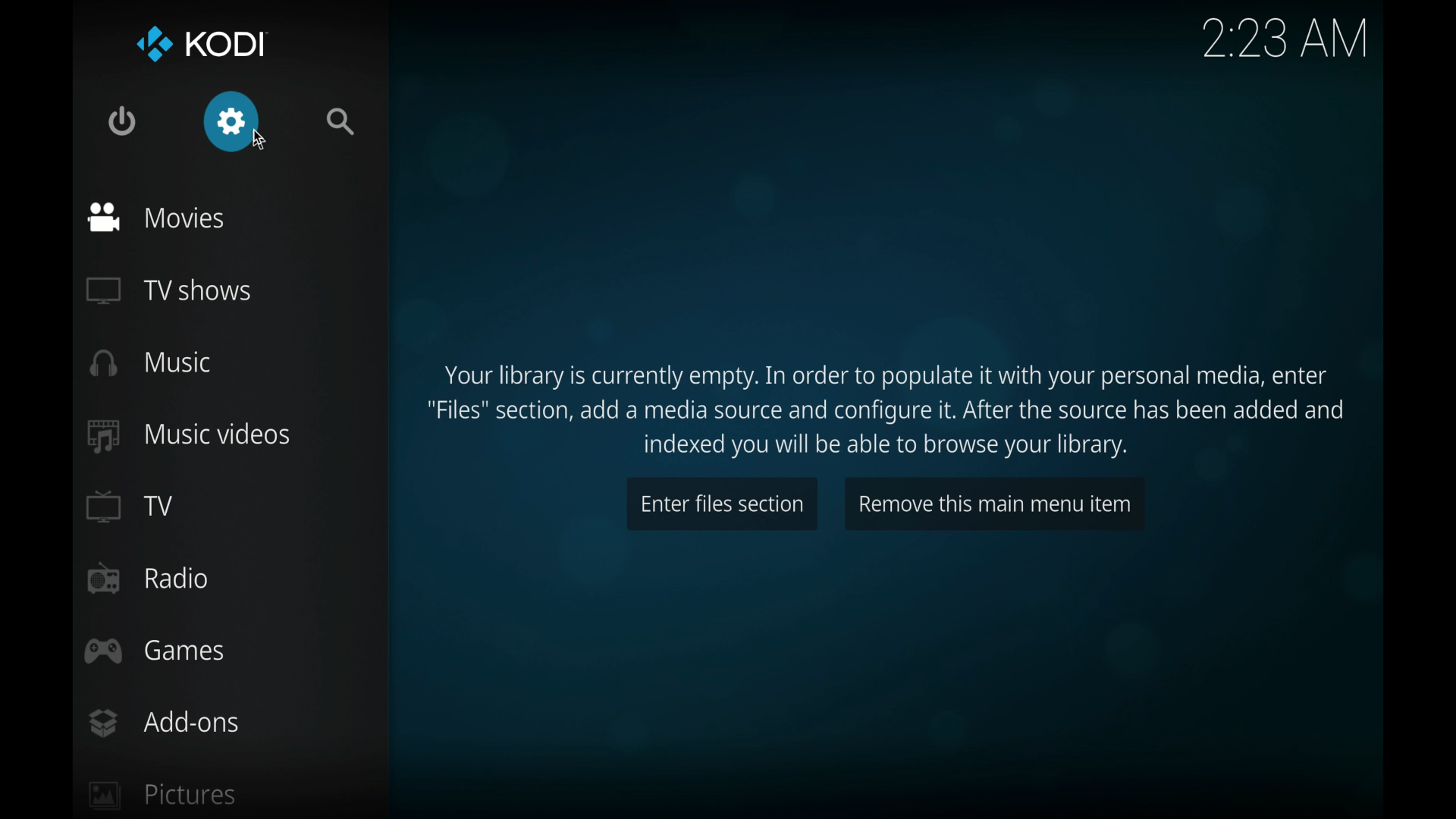 The height and width of the screenshot is (819, 1456). What do you see at coordinates (723, 504) in the screenshot?
I see `enter files section` at bounding box center [723, 504].